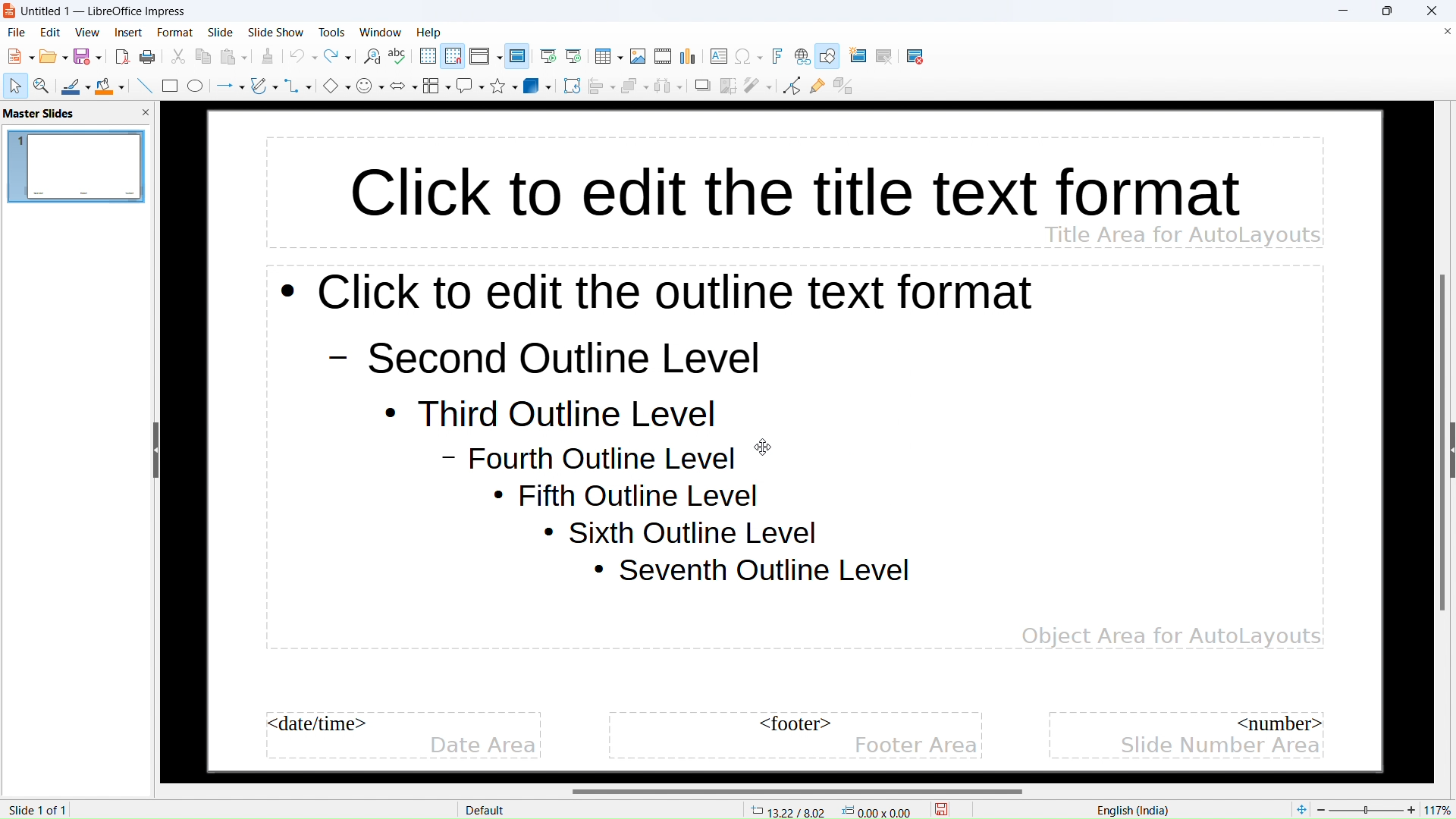  What do you see at coordinates (303, 56) in the screenshot?
I see `undo` at bounding box center [303, 56].